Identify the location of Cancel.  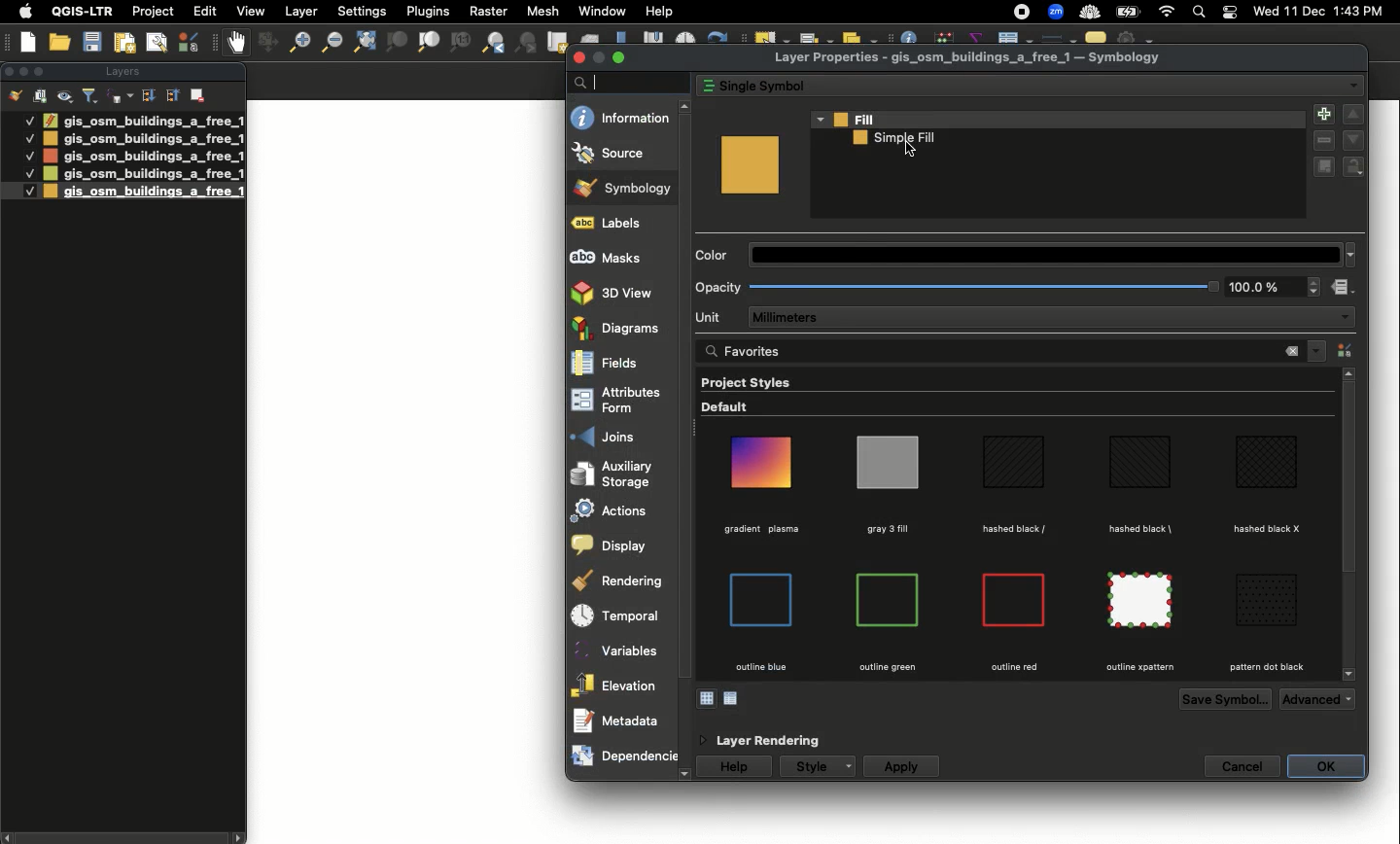
(1243, 766).